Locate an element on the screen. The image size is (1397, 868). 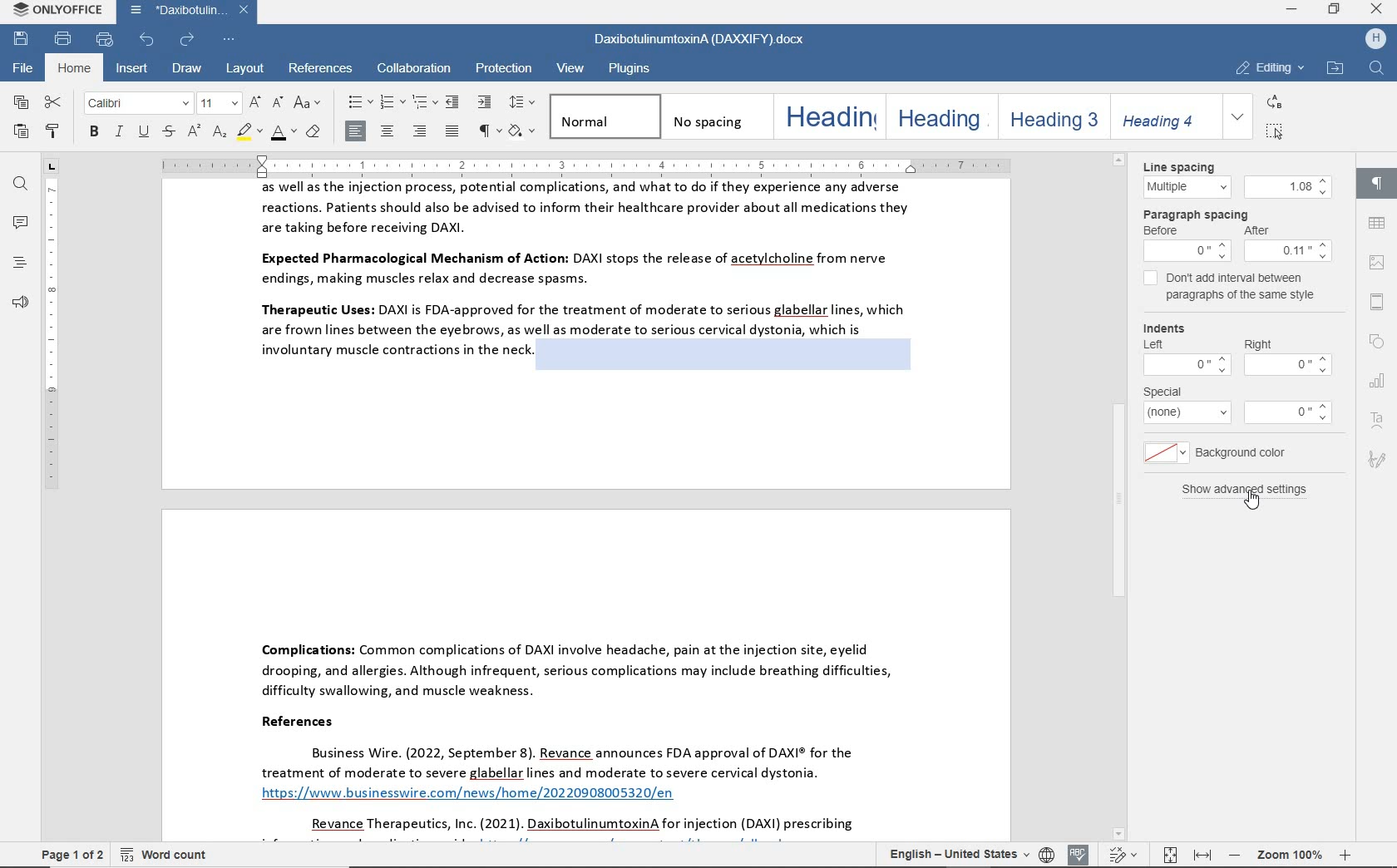
decrement font size is located at coordinates (276, 101).